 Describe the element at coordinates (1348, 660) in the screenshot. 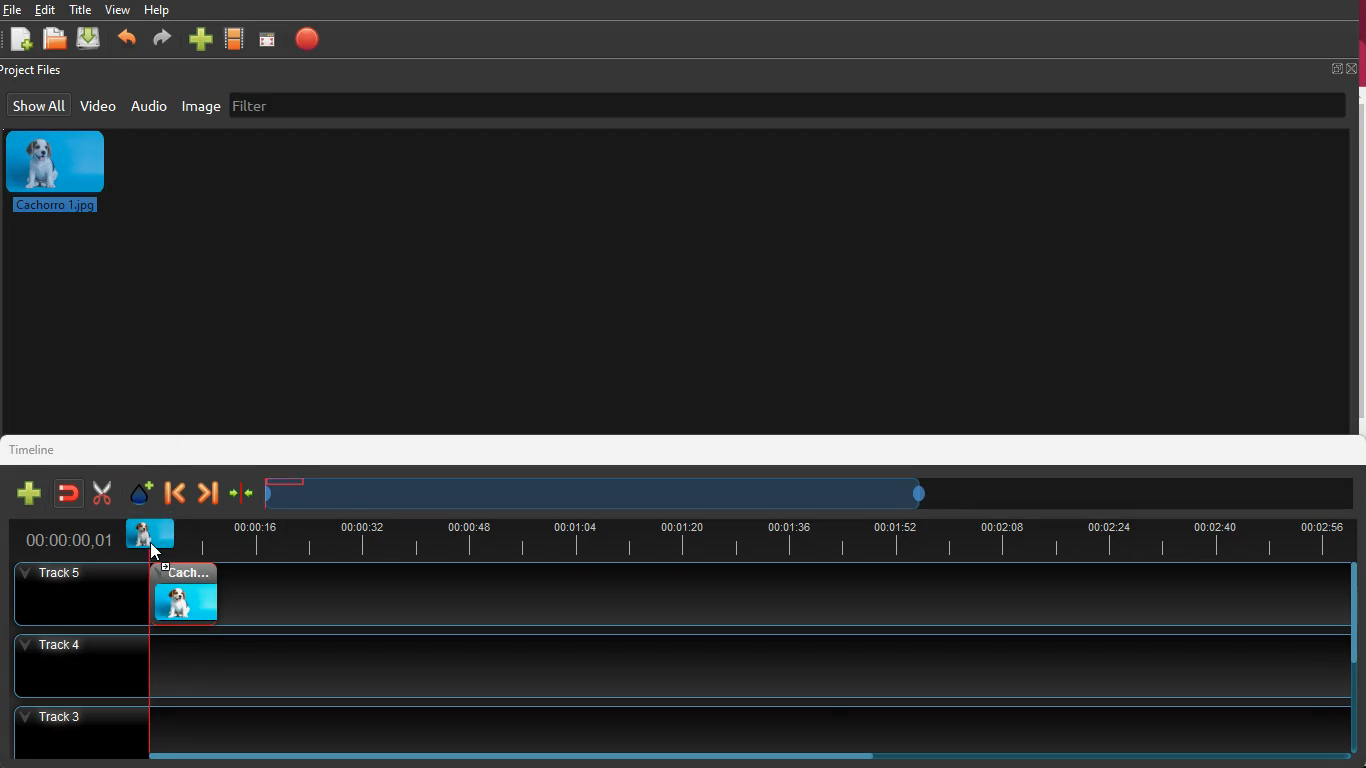

I see `scrollbar` at that location.